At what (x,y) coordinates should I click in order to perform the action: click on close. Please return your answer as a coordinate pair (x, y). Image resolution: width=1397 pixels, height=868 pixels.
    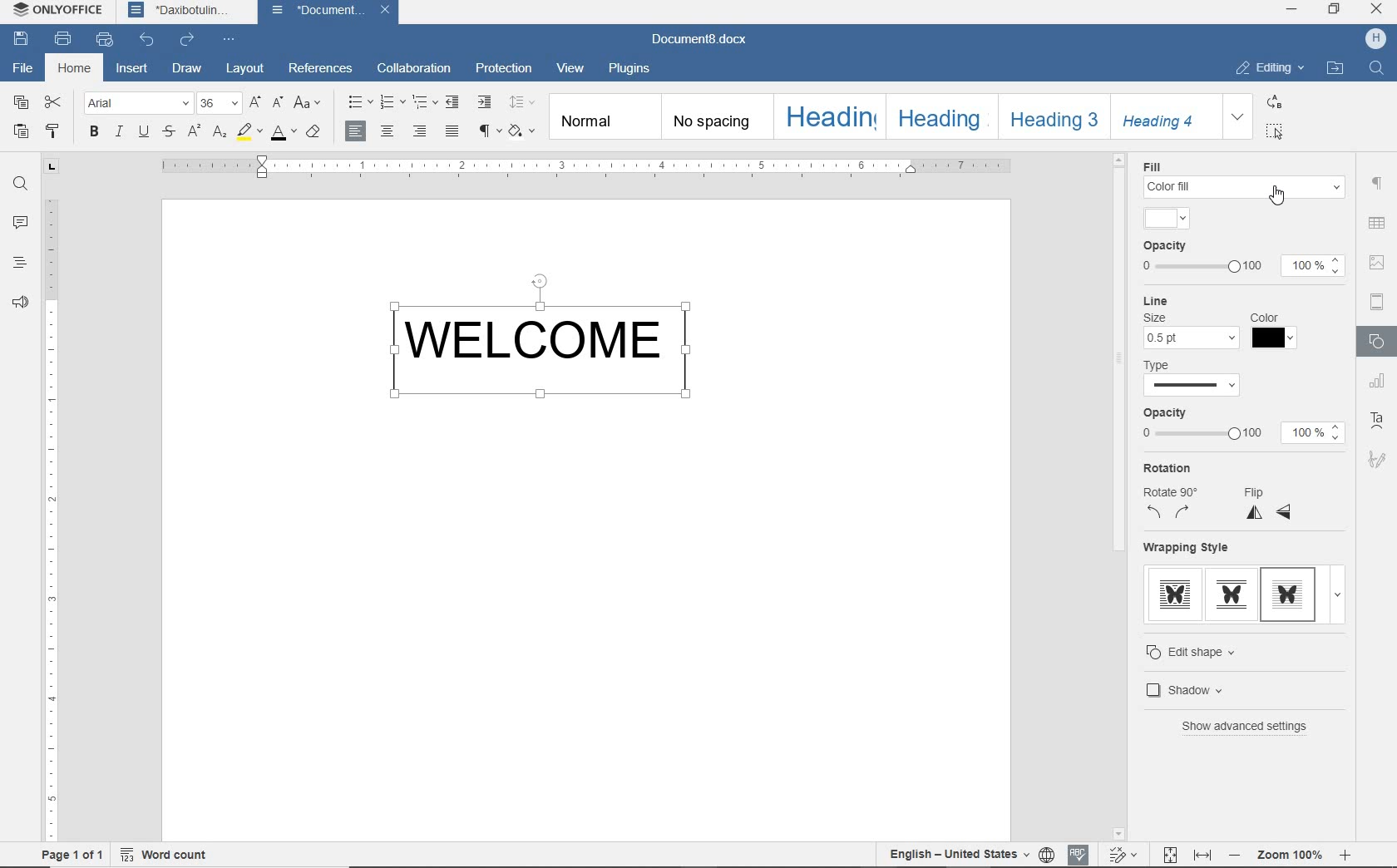
    Looking at the image, I should click on (388, 10).